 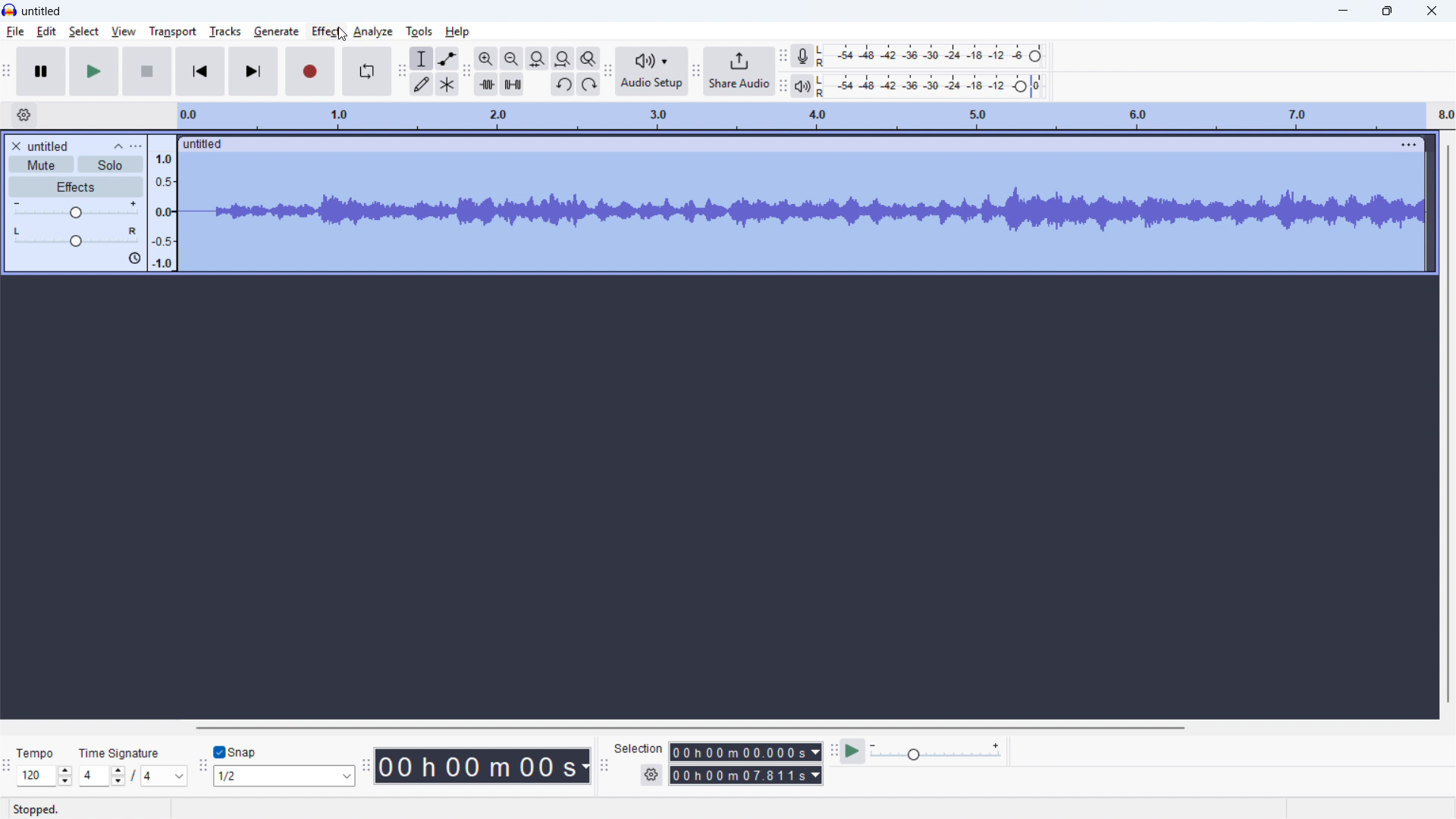 I want to click on Play at speed toolbar , so click(x=831, y=751).